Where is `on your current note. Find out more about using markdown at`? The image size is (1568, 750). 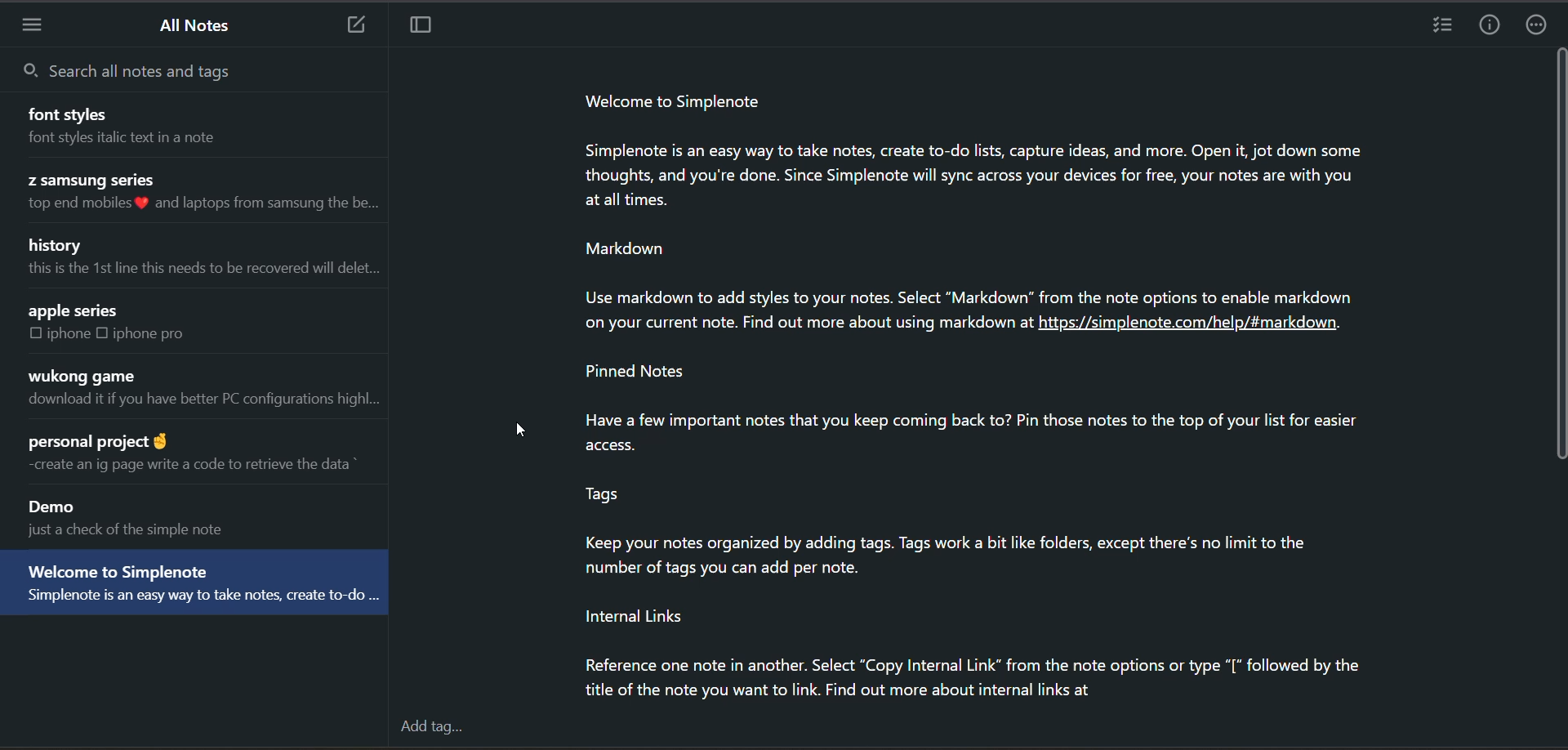 on your current note. Find out more about using markdown at is located at coordinates (791, 324).